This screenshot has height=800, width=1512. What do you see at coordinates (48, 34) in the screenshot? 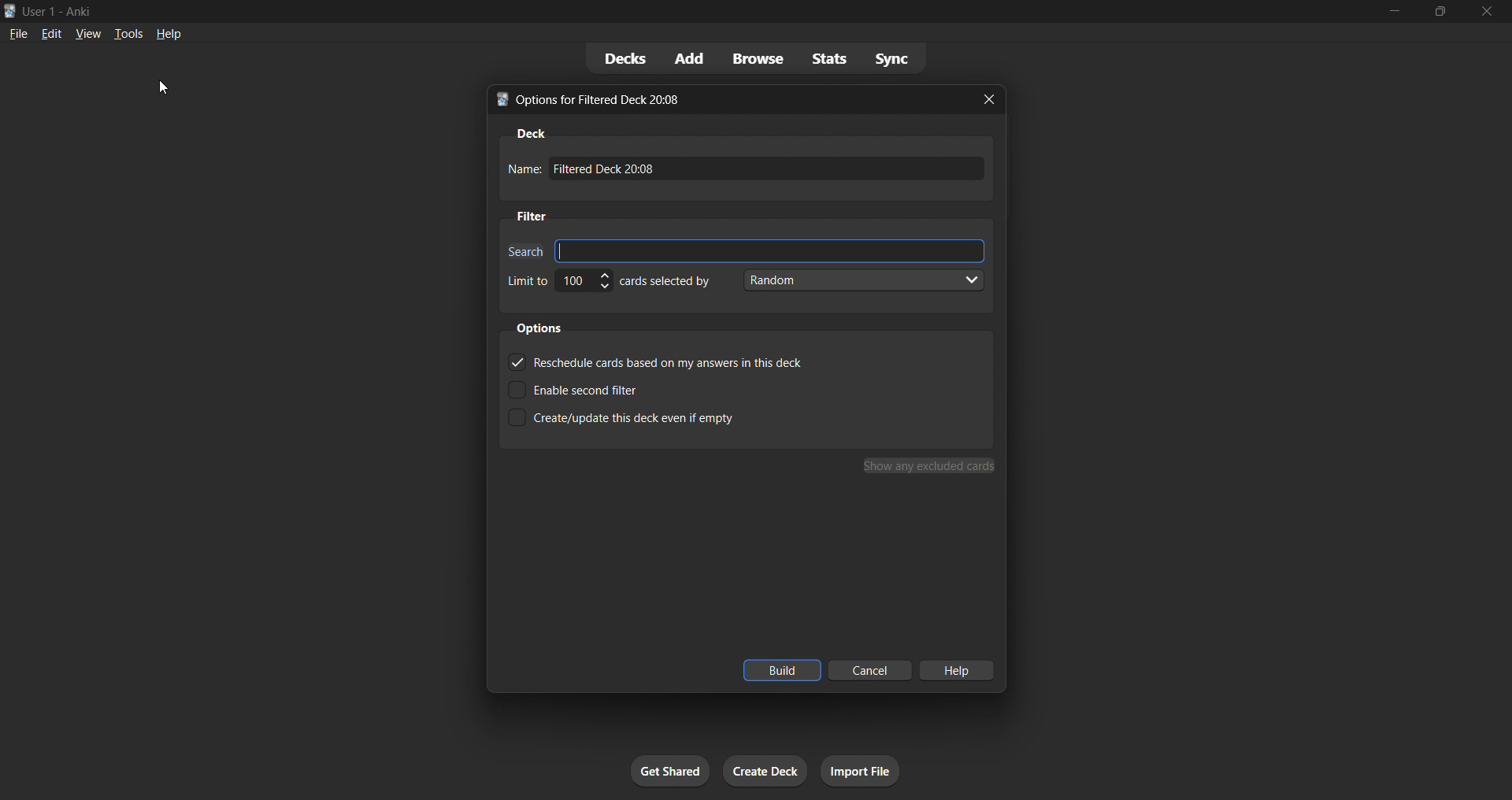
I see `edit` at bounding box center [48, 34].